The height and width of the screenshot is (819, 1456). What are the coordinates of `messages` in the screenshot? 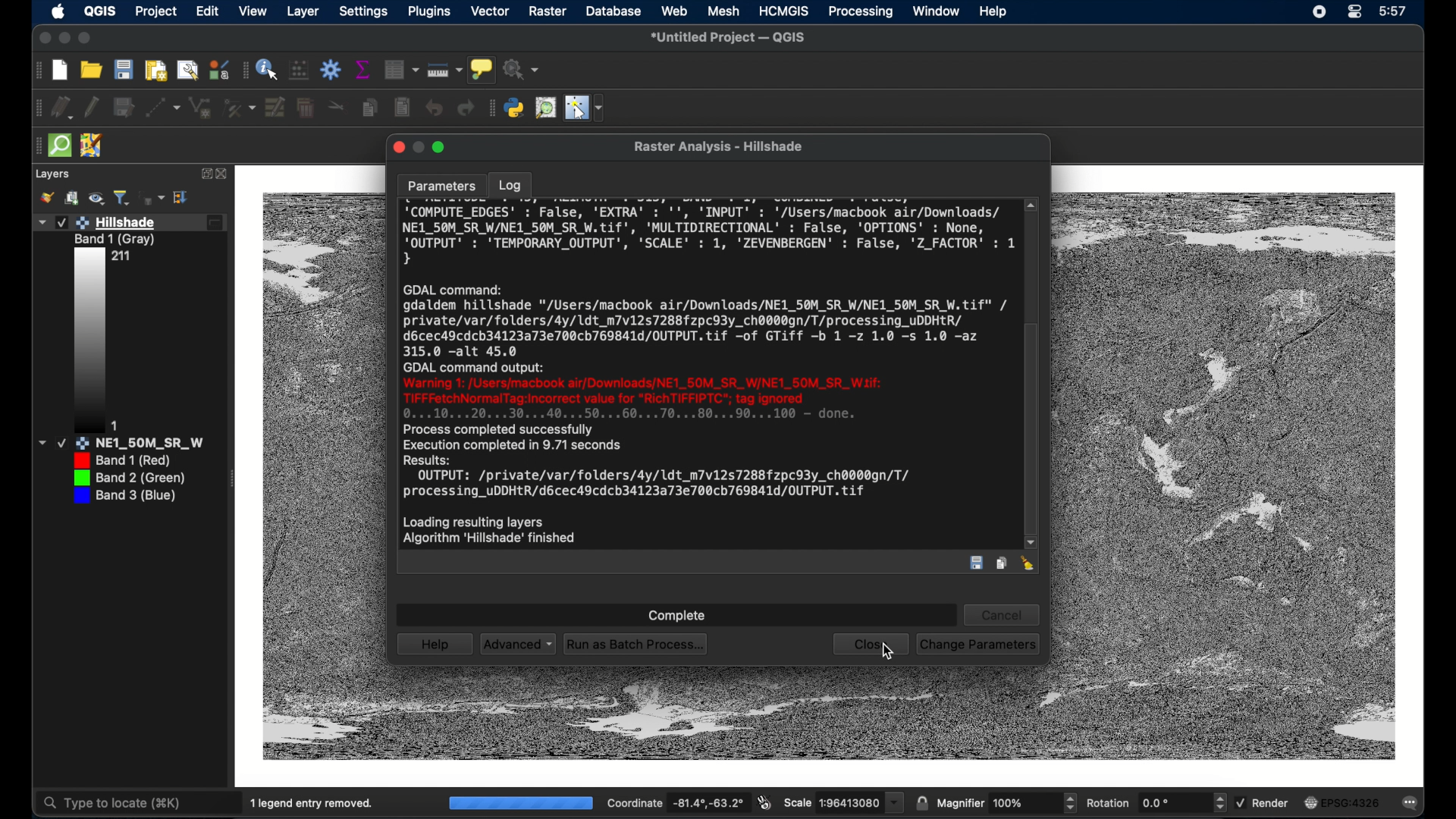 It's located at (1412, 804).